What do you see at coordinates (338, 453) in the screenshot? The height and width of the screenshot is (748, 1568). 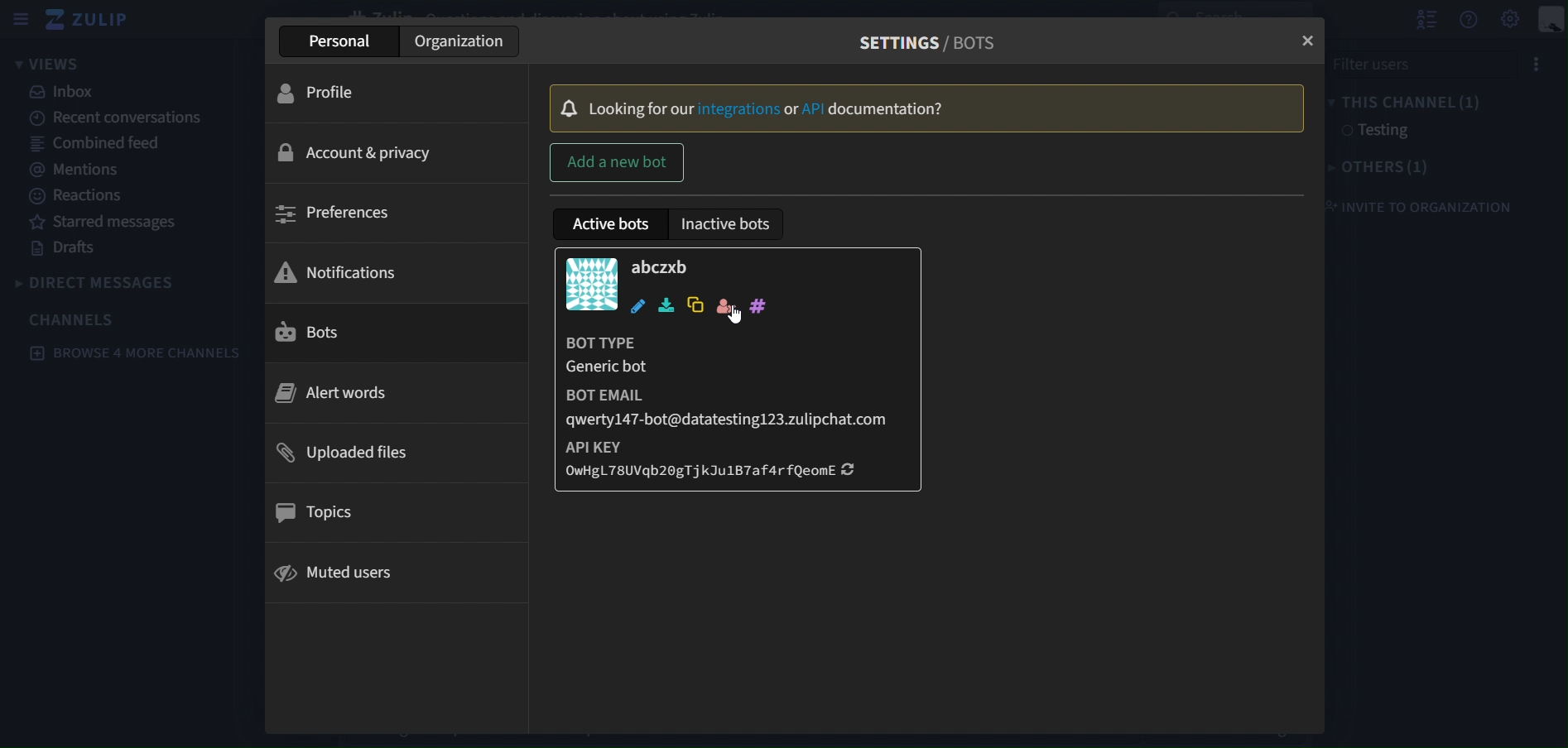 I see `uploaded files` at bounding box center [338, 453].